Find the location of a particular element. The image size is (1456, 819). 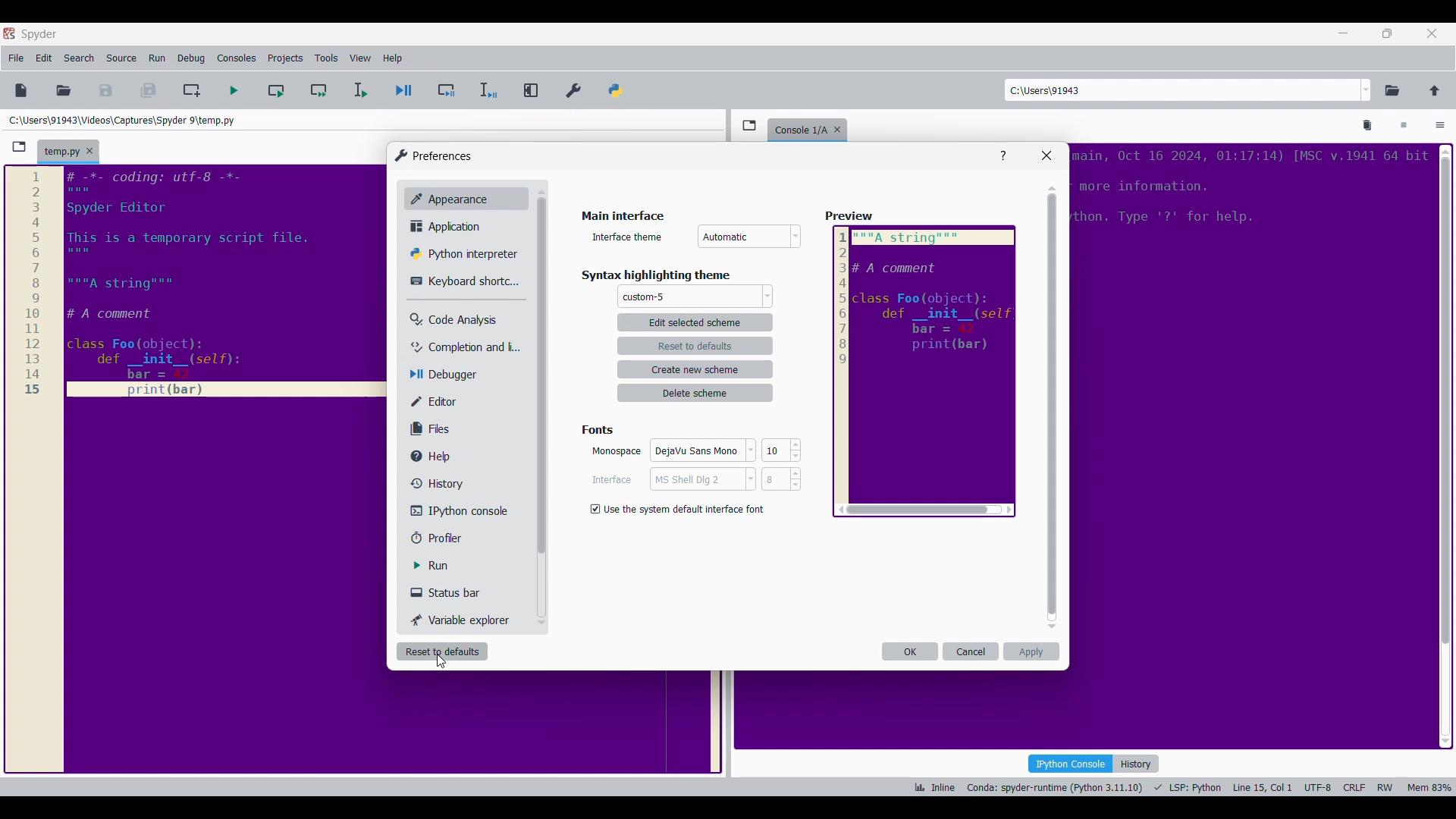

Preferences is located at coordinates (574, 91).